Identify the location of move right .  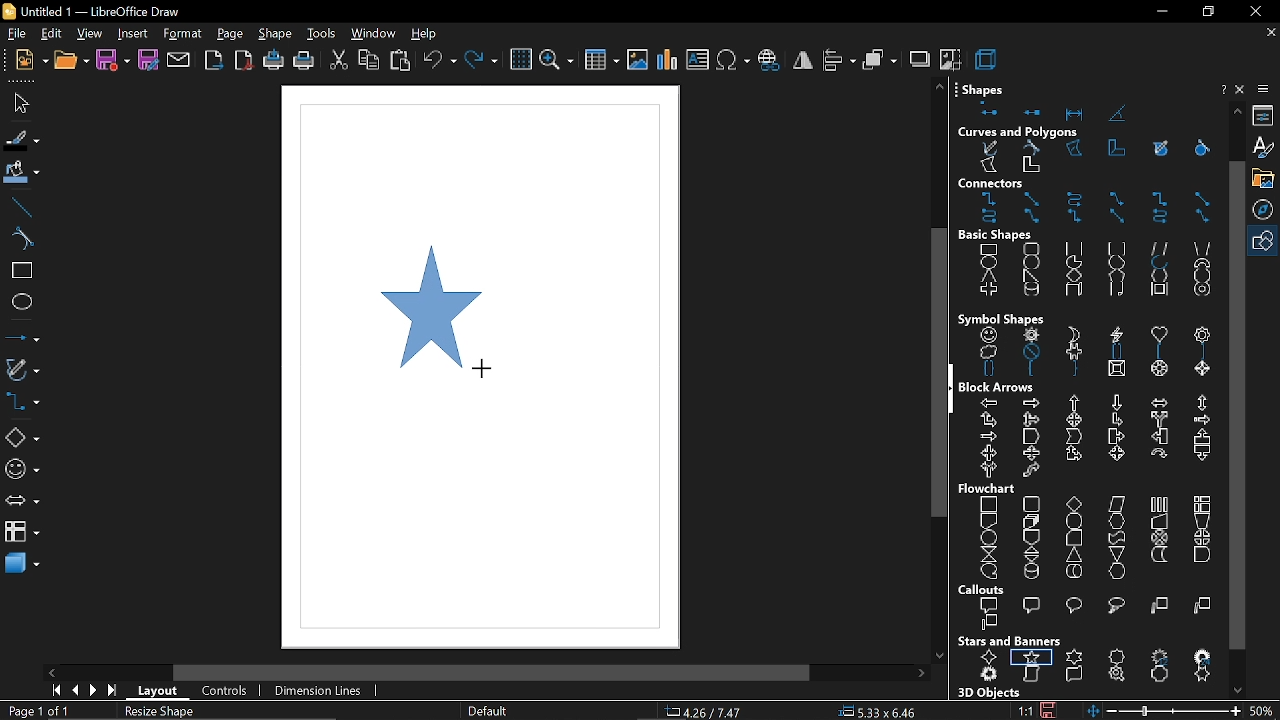
(925, 673).